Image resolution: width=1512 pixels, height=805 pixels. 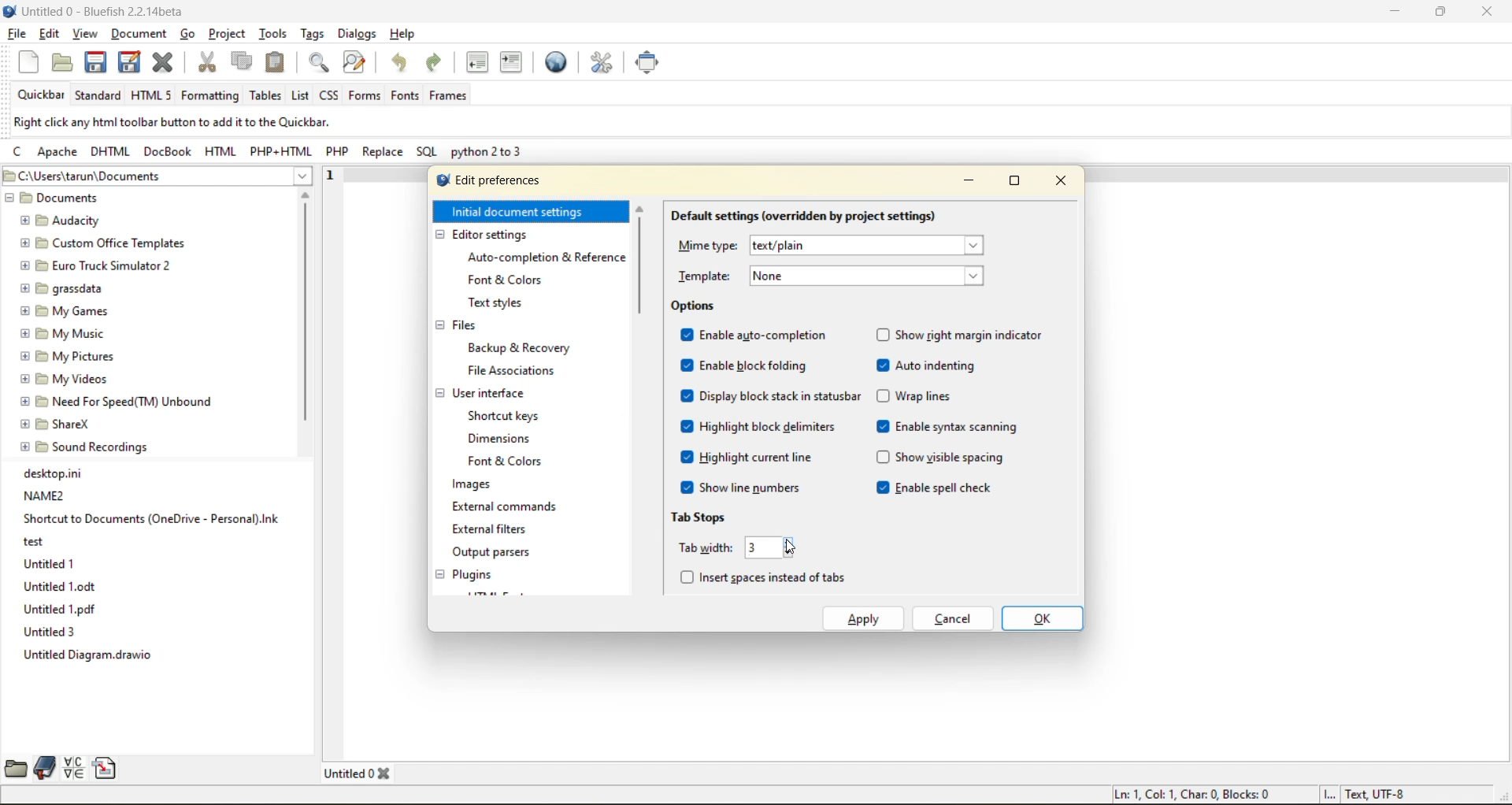 I want to click on html 5, so click(x=152, y=96).